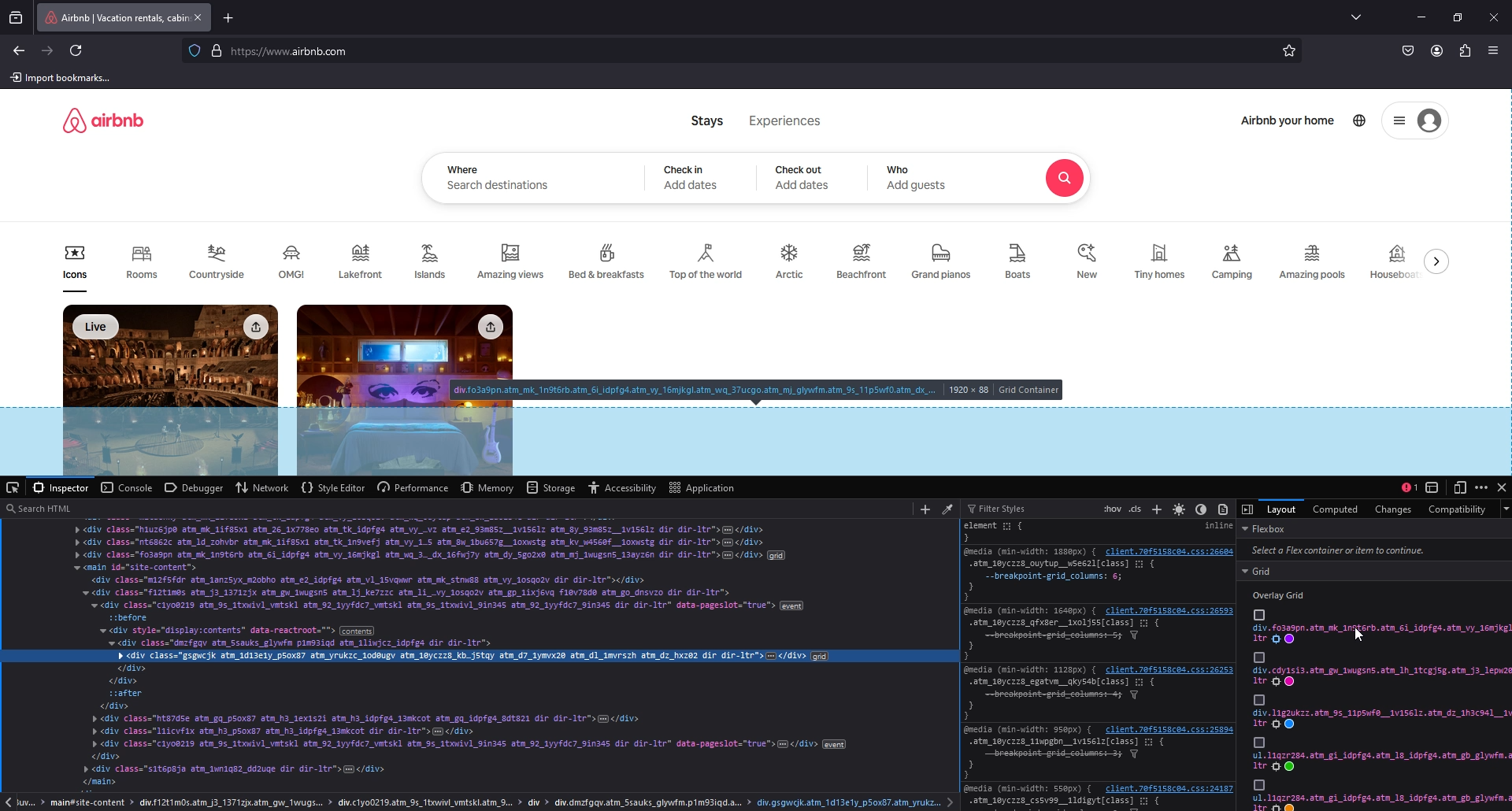 The image size is (1512, 811). I want to click on close, so click(1494, 17).